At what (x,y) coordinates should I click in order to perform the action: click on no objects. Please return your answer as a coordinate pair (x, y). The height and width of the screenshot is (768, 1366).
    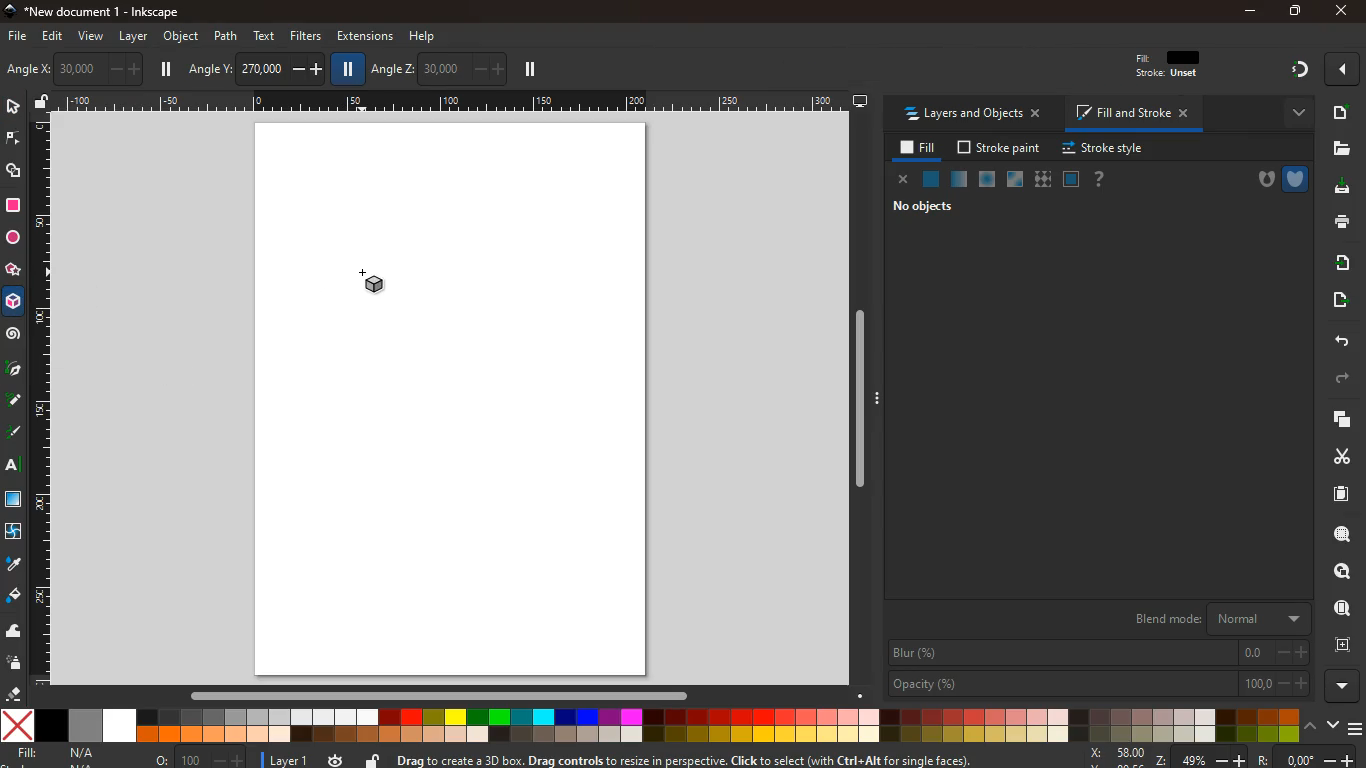
    Looking at the image, I should click on (925, 209).